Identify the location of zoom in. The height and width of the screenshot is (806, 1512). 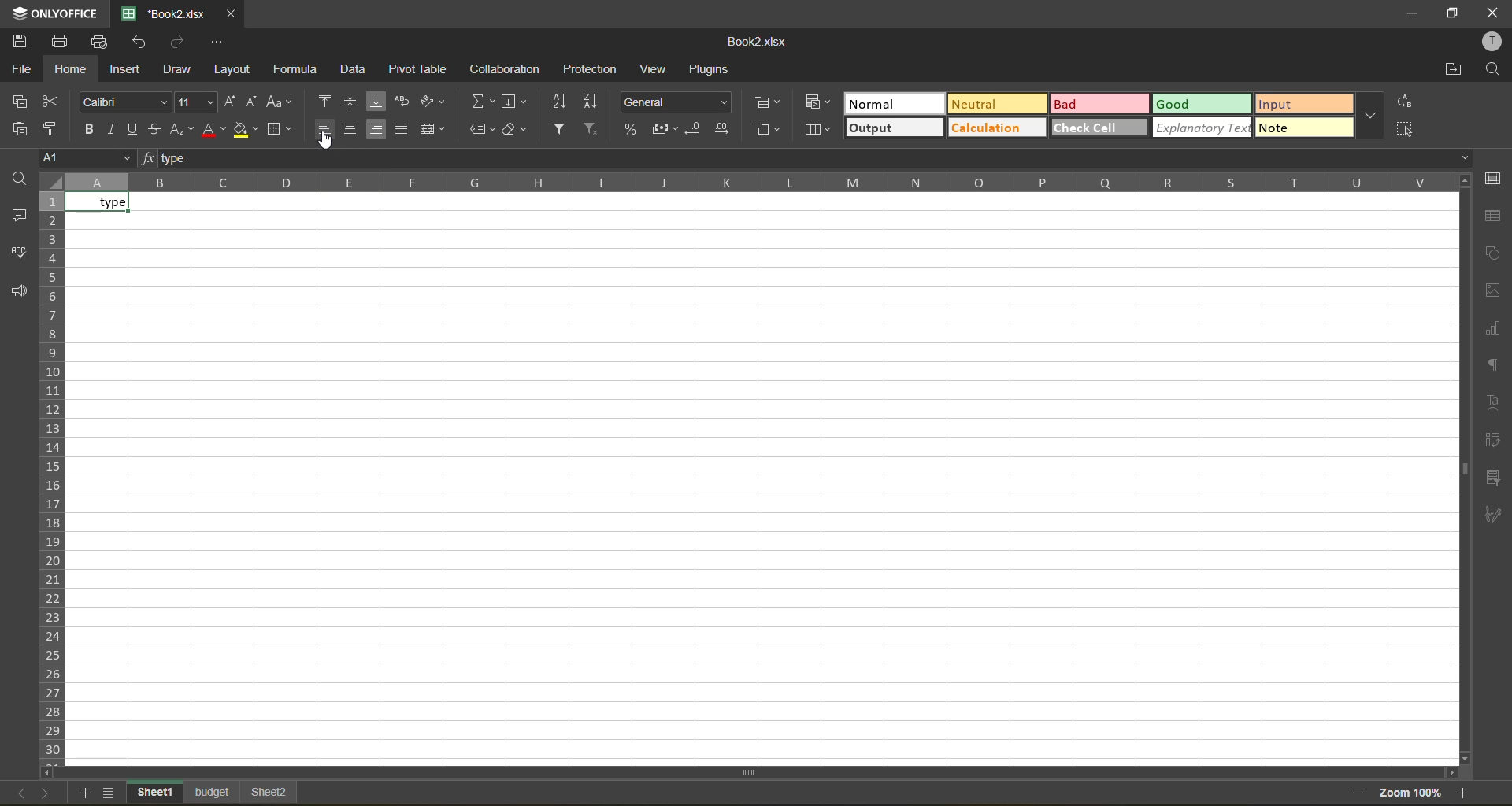
(1467, 792).